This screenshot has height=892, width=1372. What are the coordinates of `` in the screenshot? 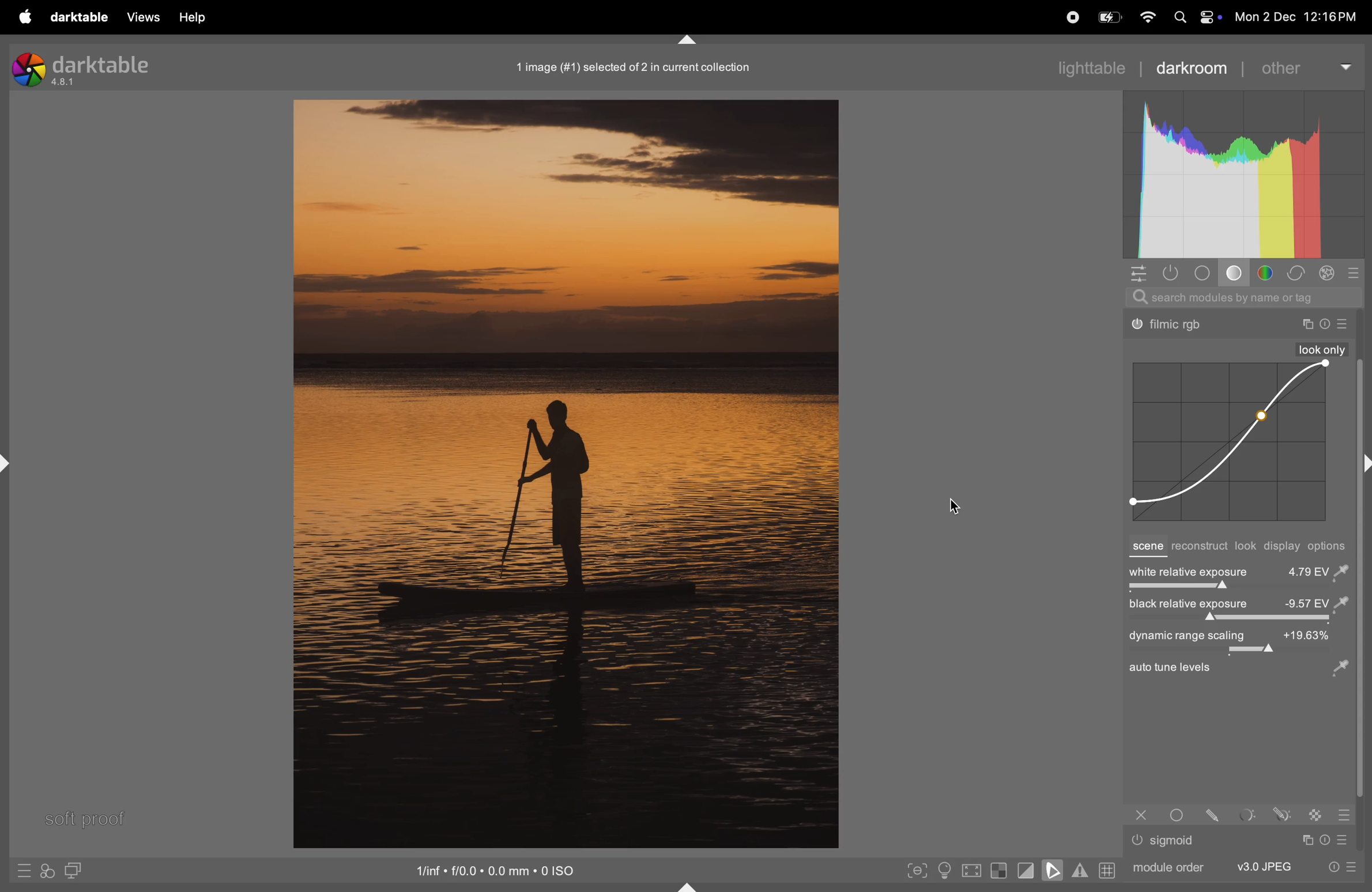 It's located at (566, 475).